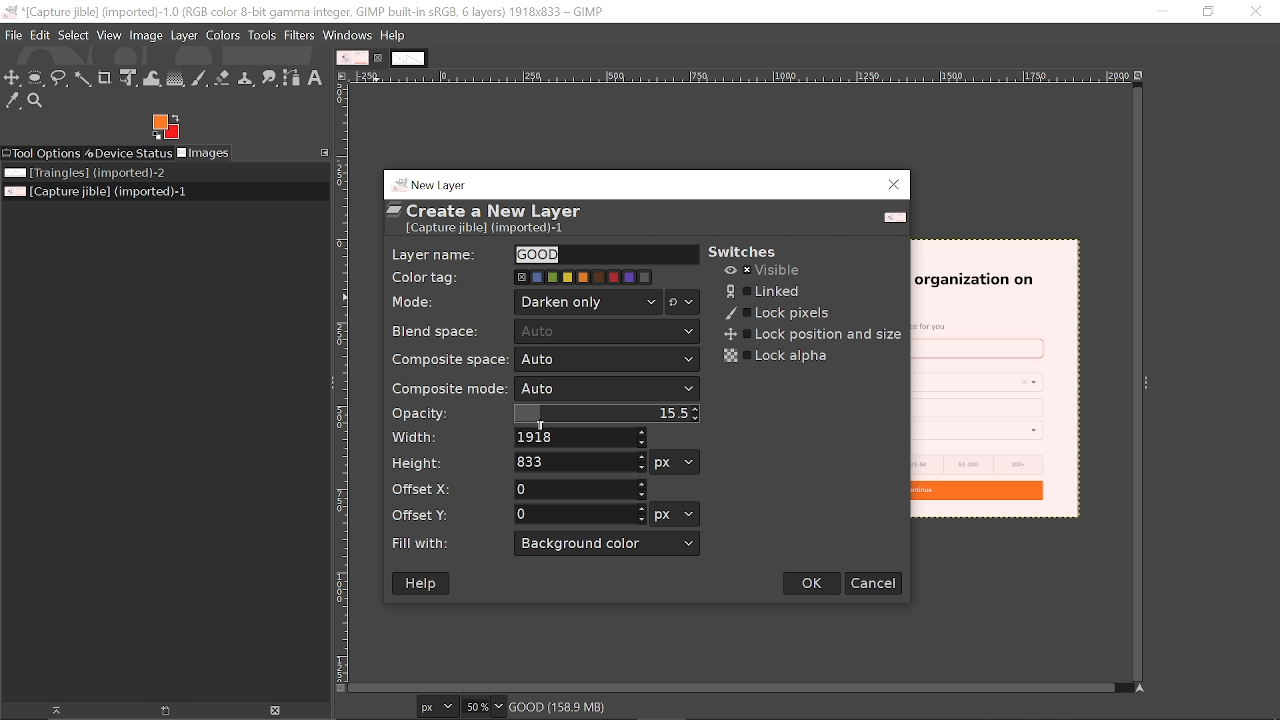  Describe the element at coordinates (261, 35) in the screenshot. I see `Tools` at that location.